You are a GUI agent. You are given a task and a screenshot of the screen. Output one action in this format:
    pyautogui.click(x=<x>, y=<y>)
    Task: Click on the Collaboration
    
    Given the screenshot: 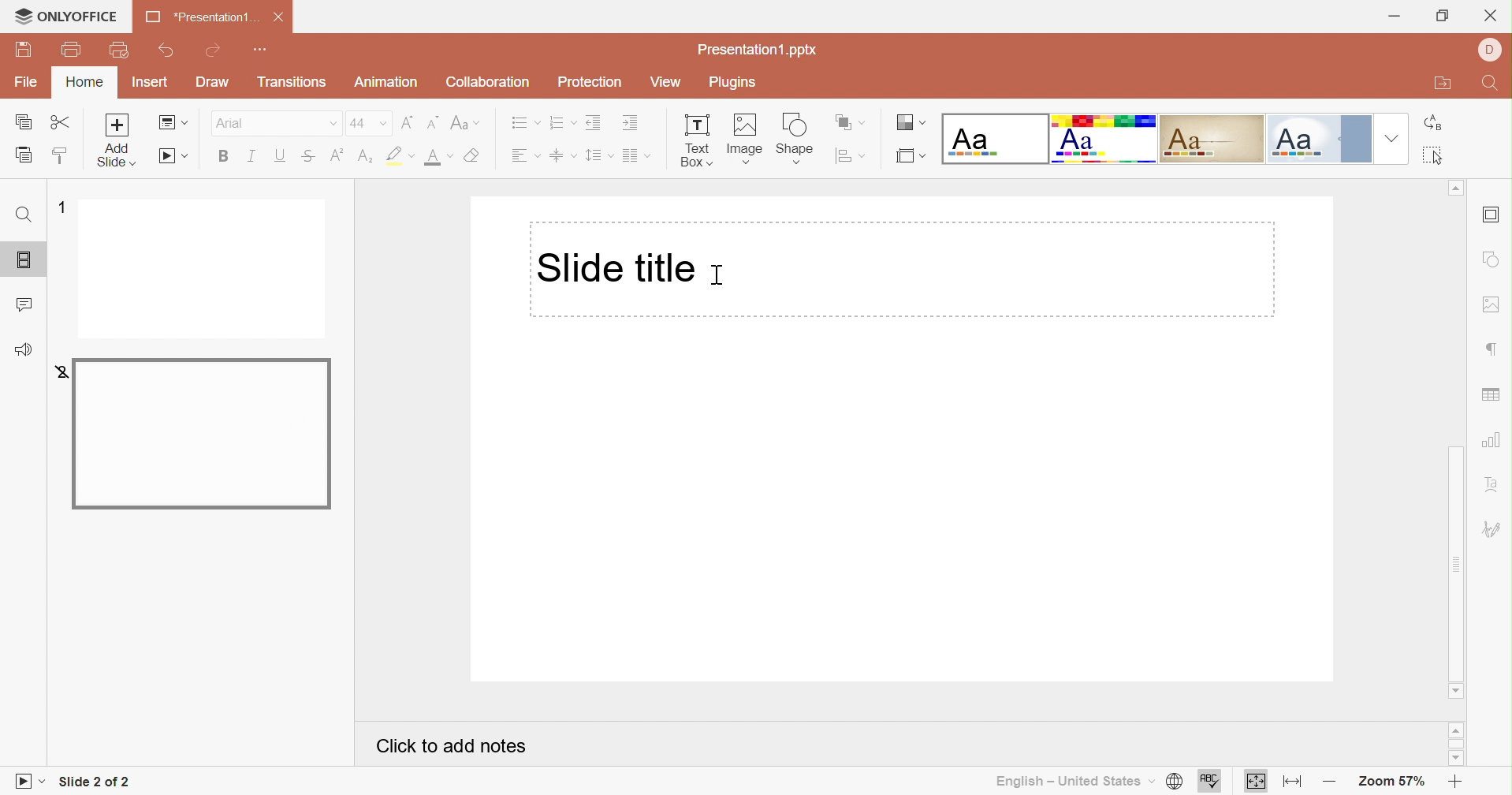 What is the action you would take?
    pyautogui.click(x=487, y=80)
    